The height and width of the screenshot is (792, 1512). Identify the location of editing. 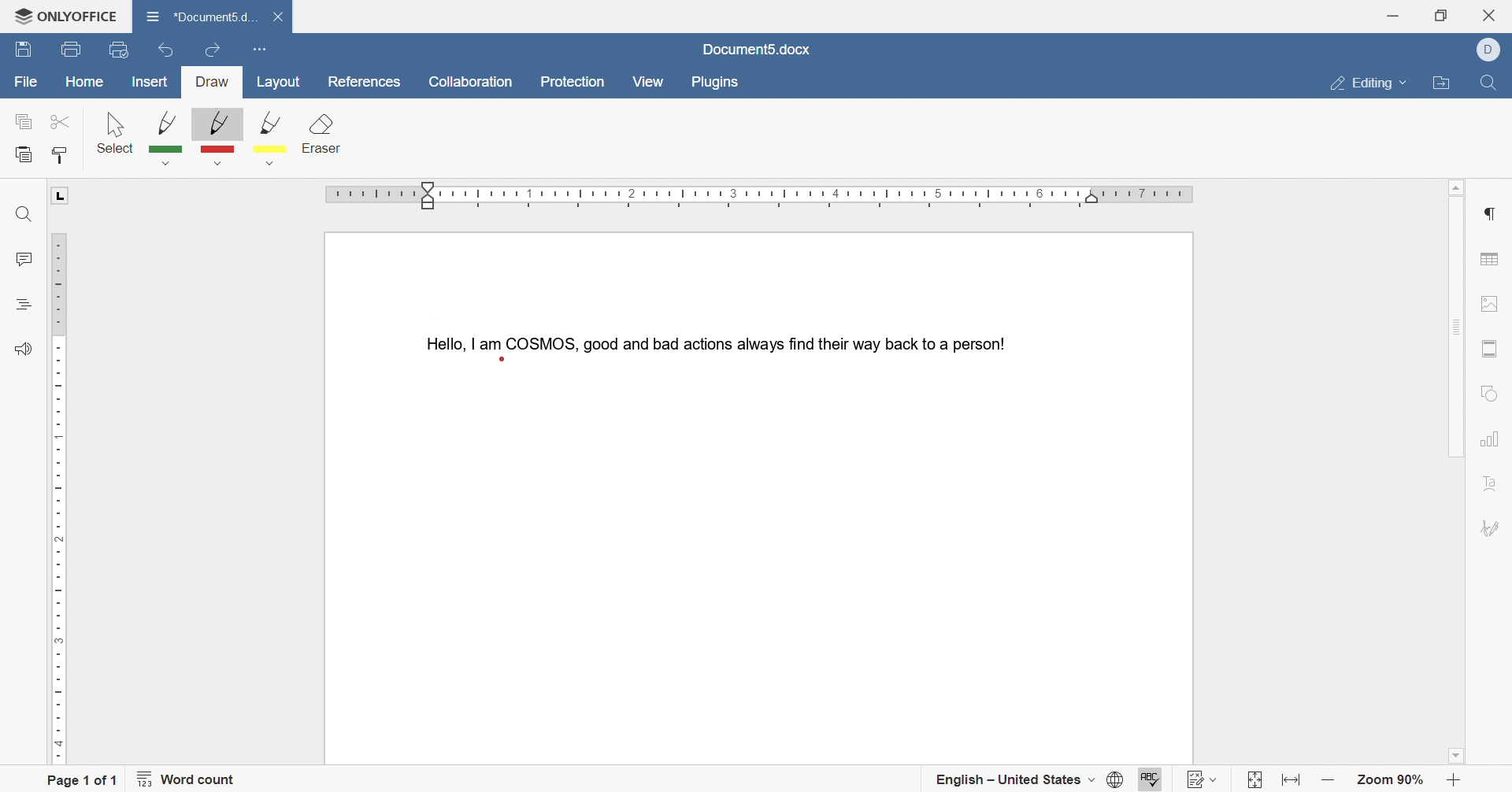
(1369, 81).